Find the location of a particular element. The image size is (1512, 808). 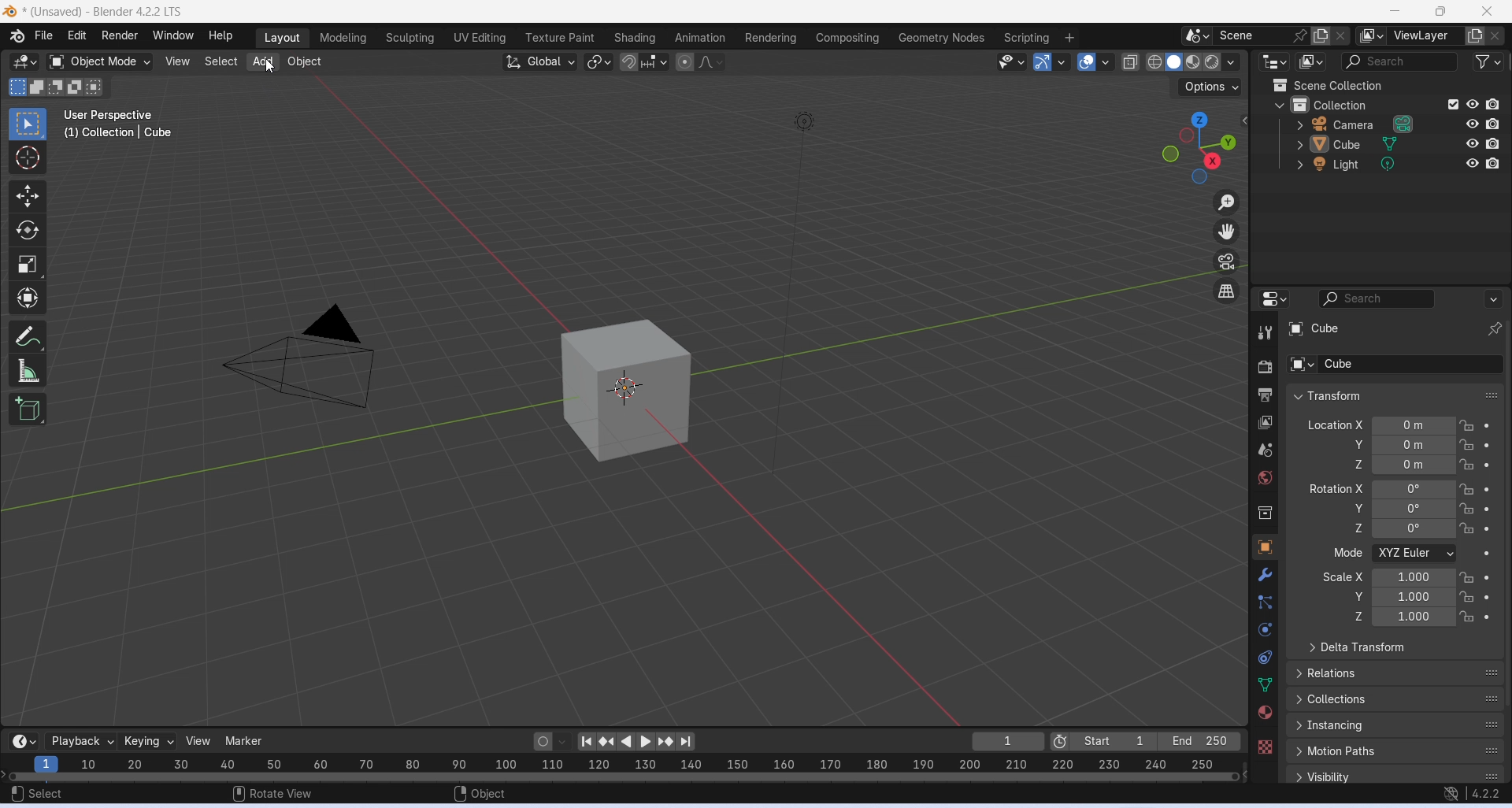

gizmos is located at coordinates (1061, 61).